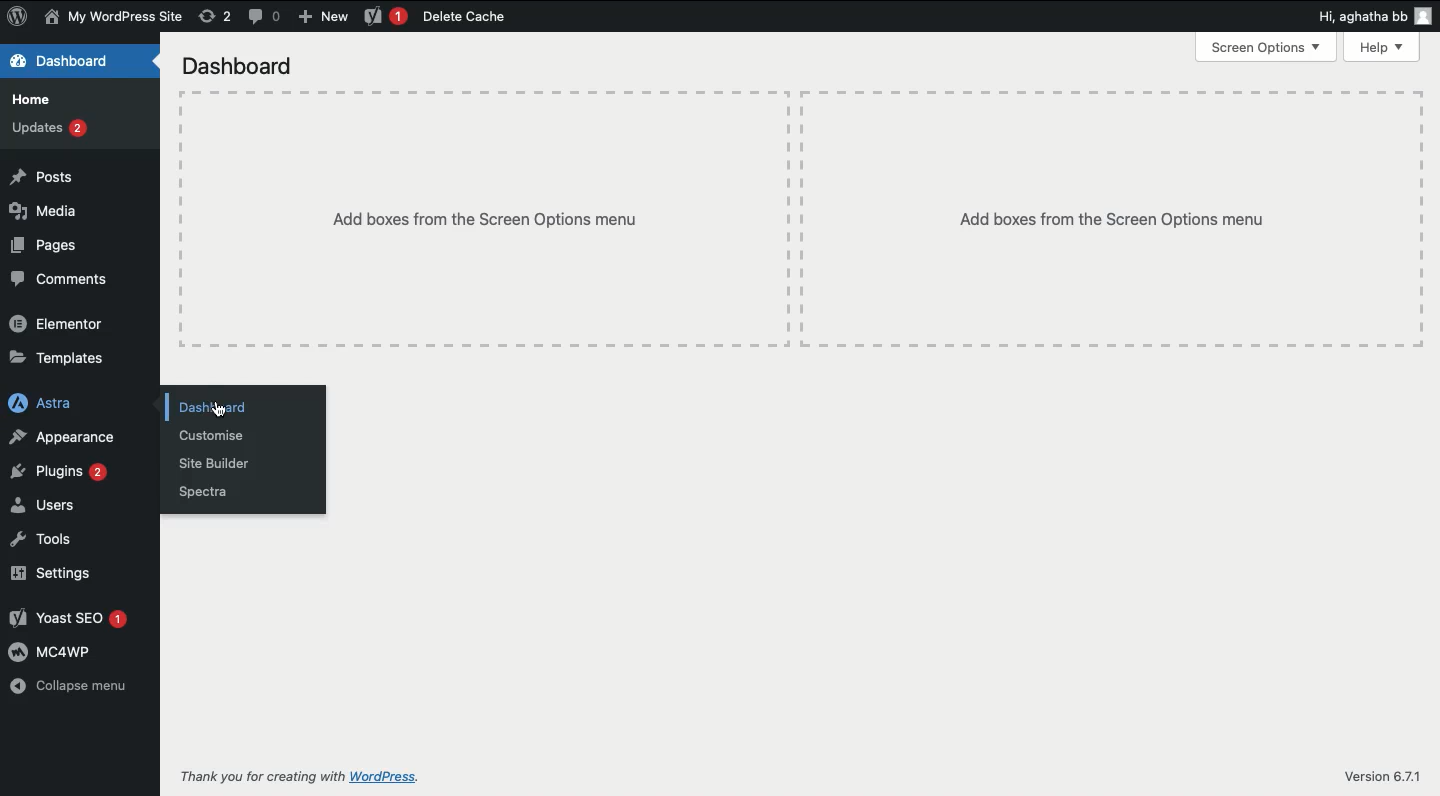 This screenshot has width=1440, height=796. I want to click on Customize, so click(215, 435).